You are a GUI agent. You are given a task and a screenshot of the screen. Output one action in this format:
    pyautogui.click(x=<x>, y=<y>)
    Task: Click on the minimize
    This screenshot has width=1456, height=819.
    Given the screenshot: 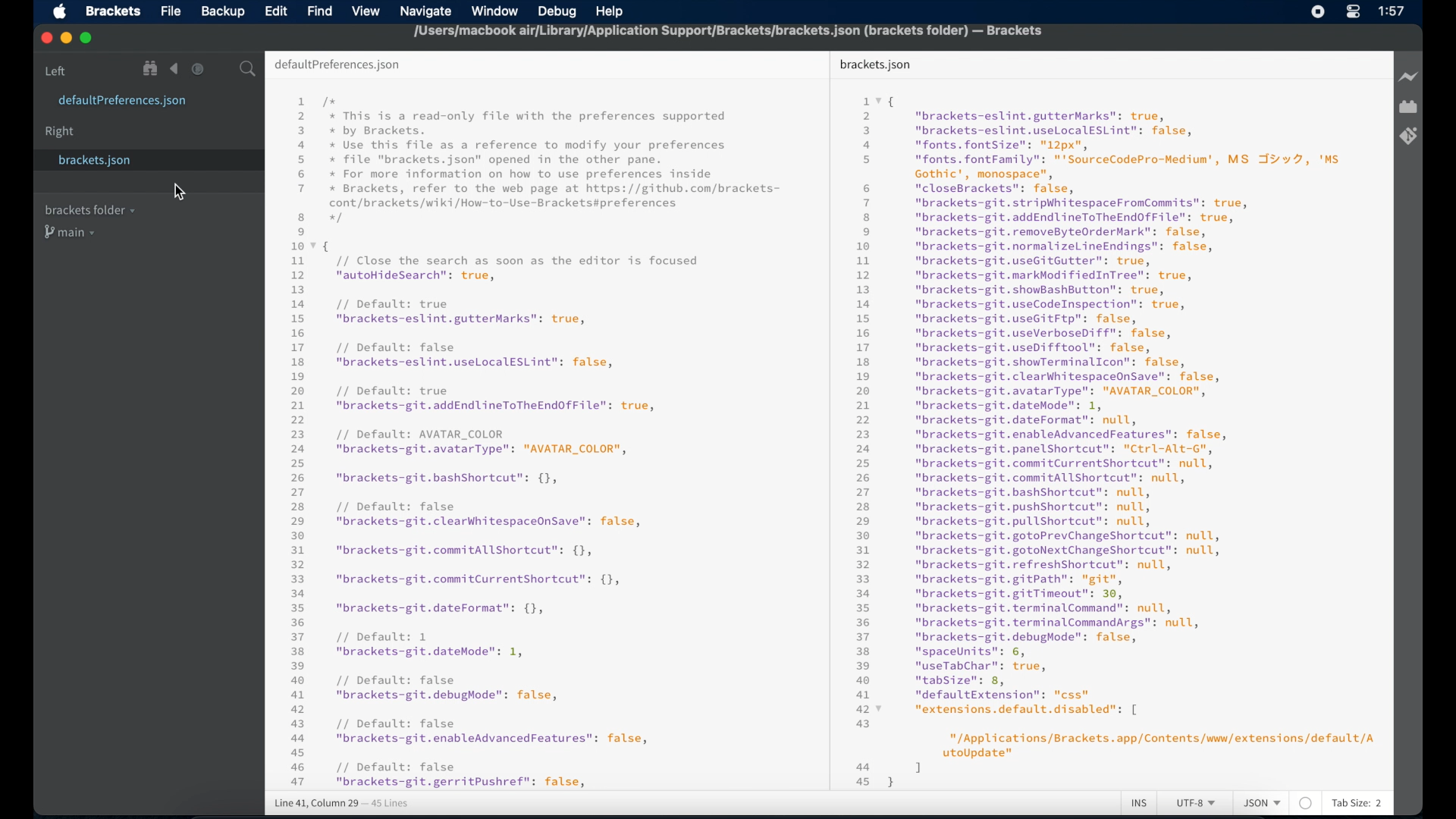 What is the action you would take?
    pyautogui.click(x=66, y=39)
    